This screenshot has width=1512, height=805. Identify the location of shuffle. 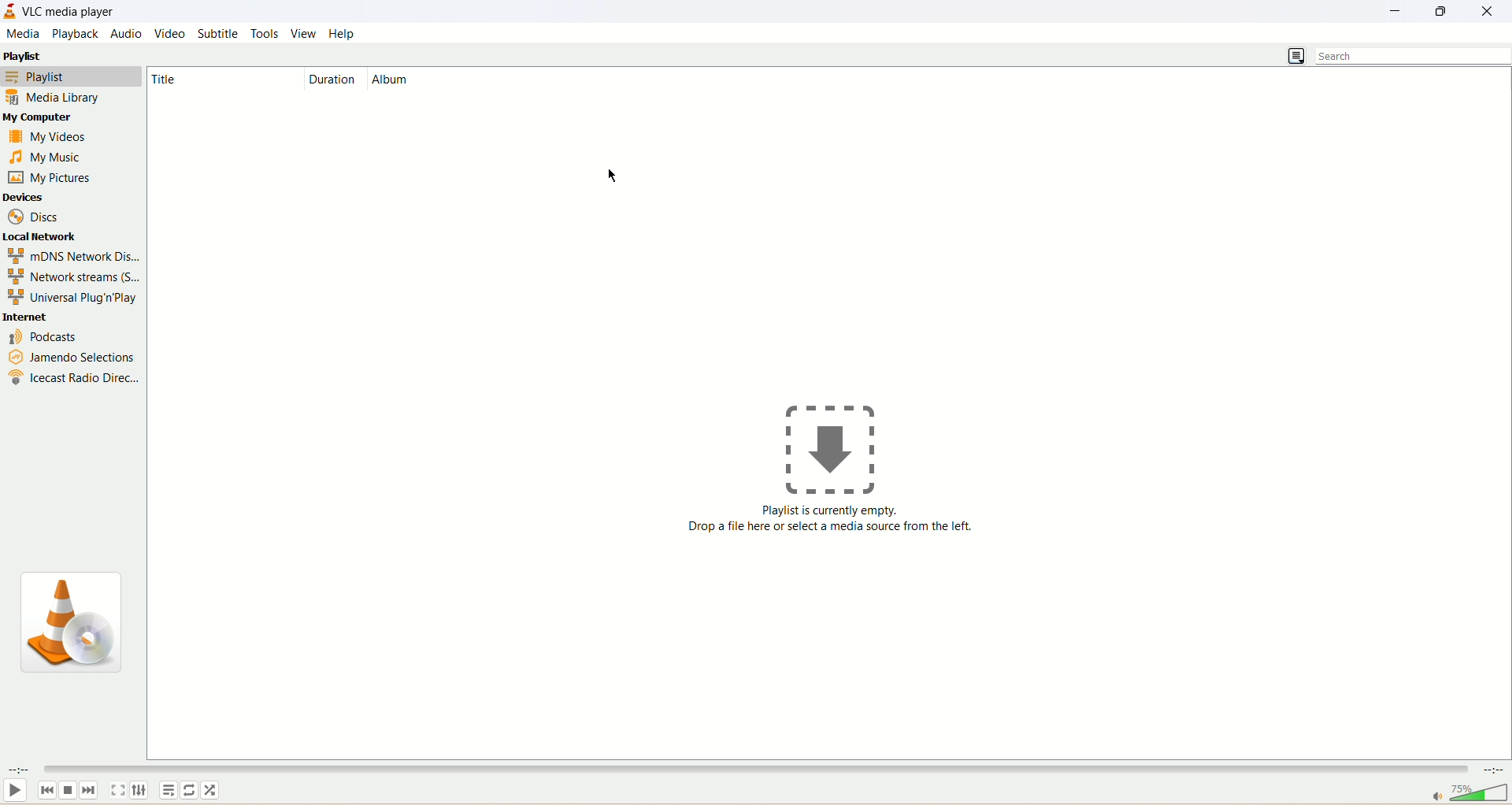
(212, 790).